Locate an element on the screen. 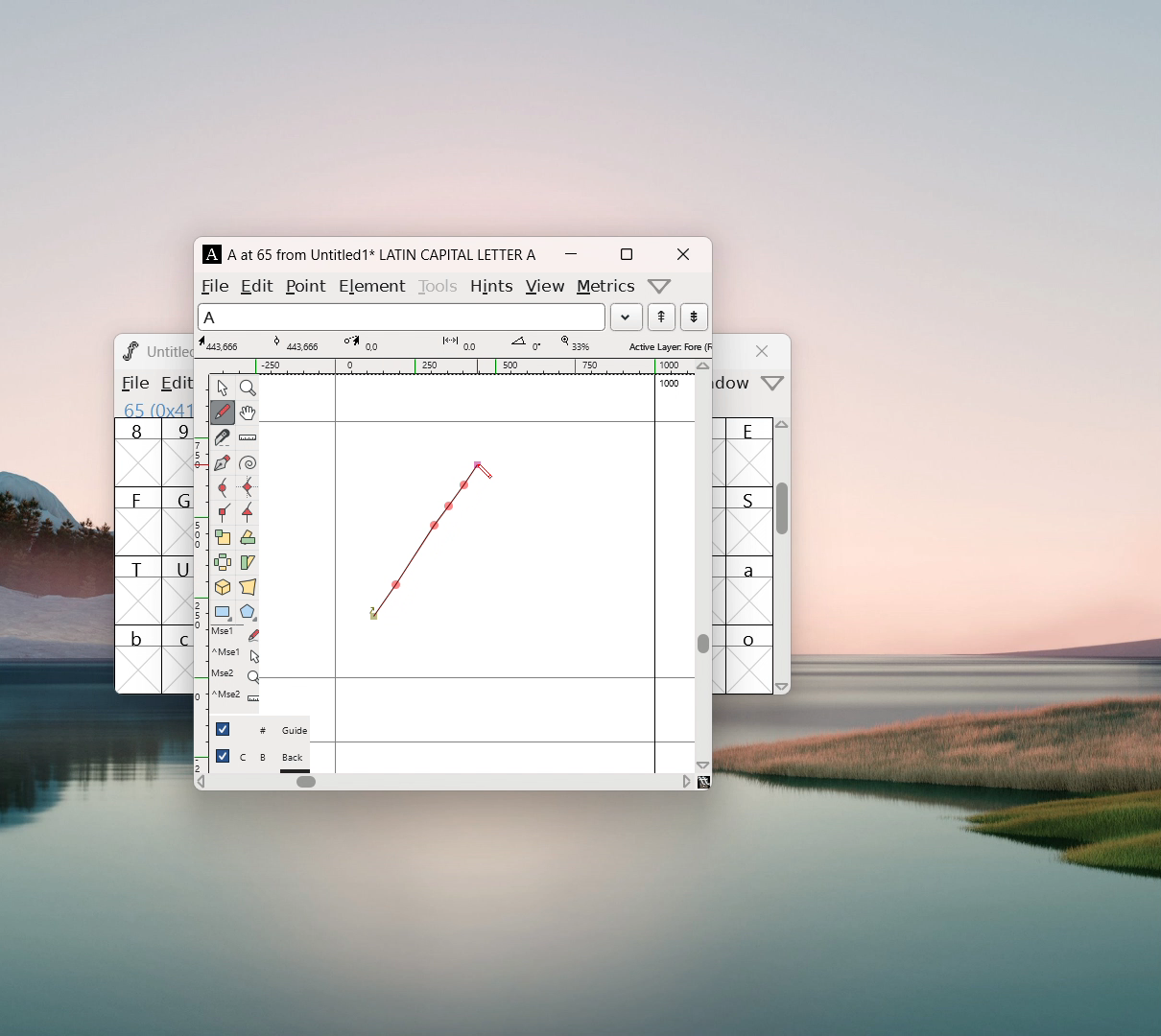 The image size is (1161, 1036). E is located at coordinates (750, 452).